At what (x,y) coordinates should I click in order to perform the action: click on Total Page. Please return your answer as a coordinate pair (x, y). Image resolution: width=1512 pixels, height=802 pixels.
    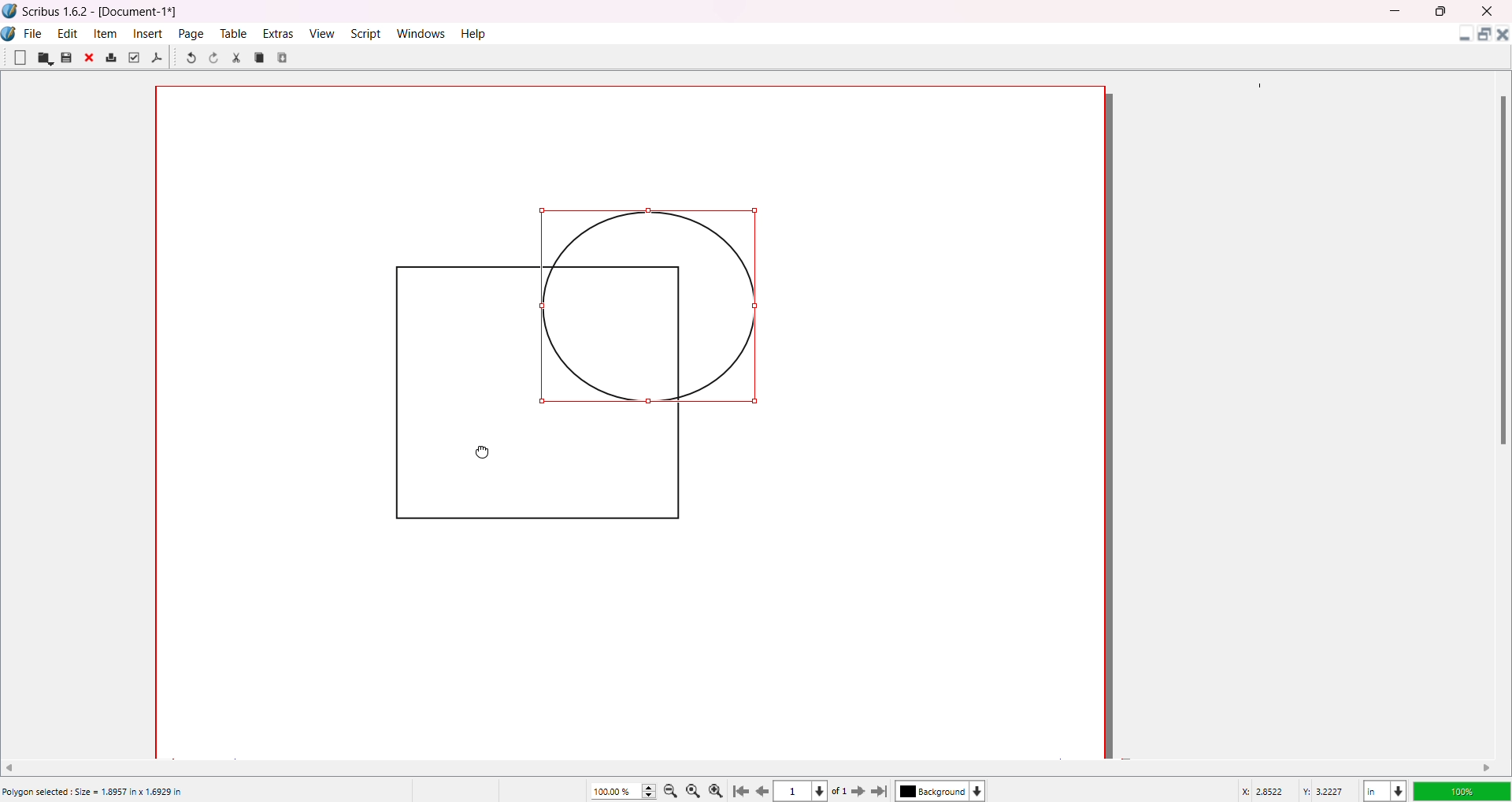
    Looking at the image, I should click on (844, 792).